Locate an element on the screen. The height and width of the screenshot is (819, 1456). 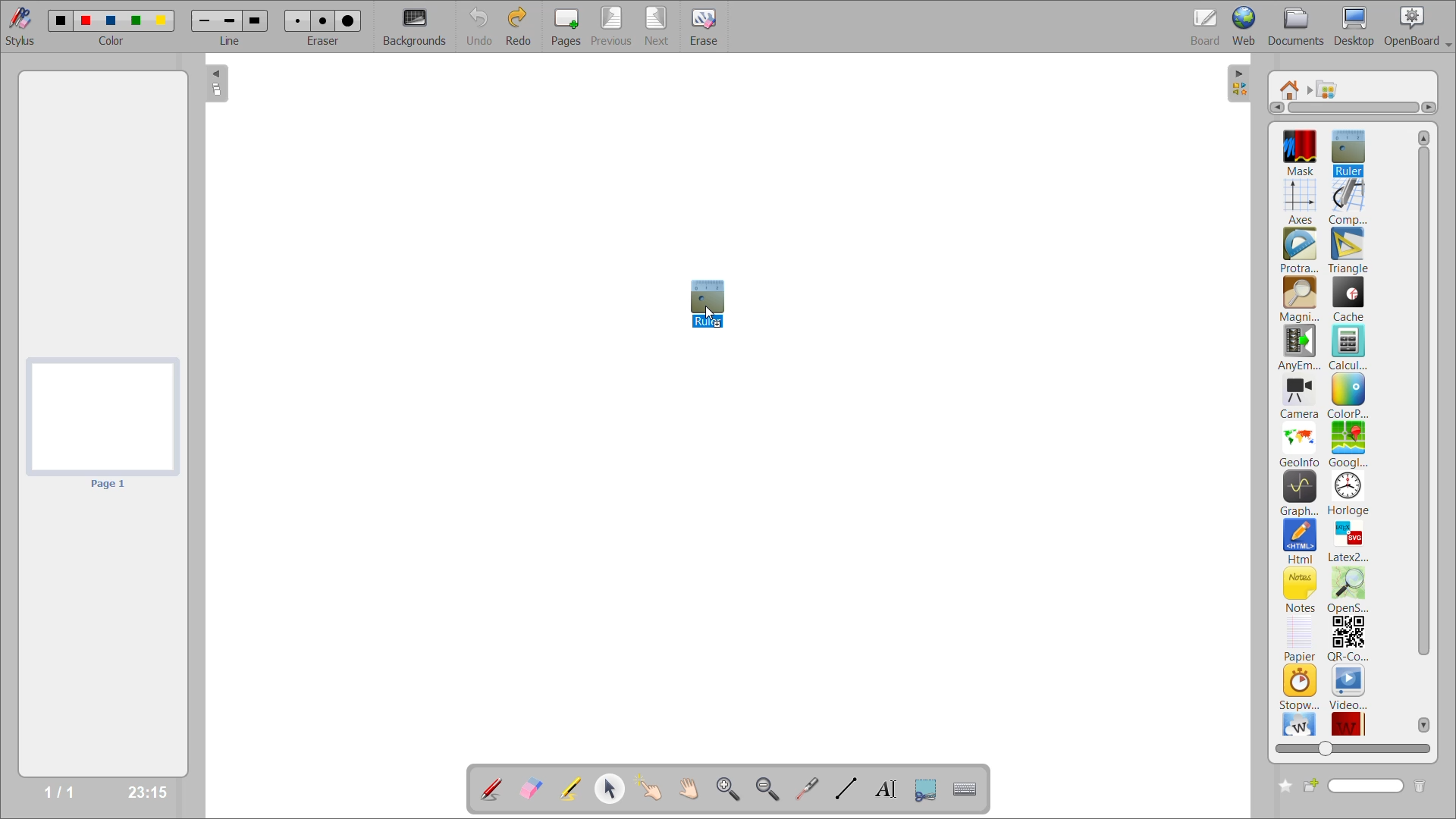
board is located at coordinates (1208, 26).